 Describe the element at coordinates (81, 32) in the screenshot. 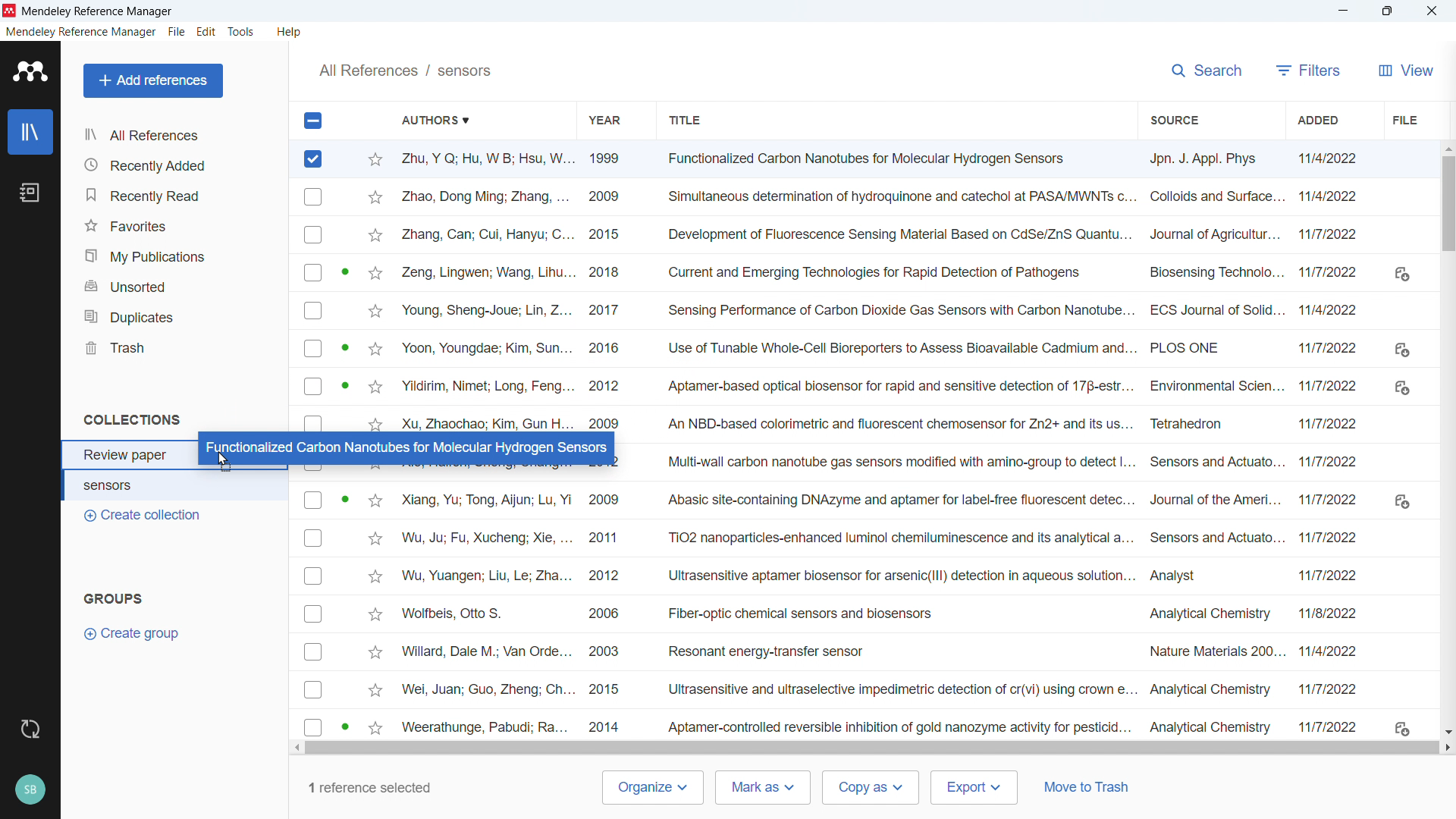

I see `Mendeley reference manager ` at that location.